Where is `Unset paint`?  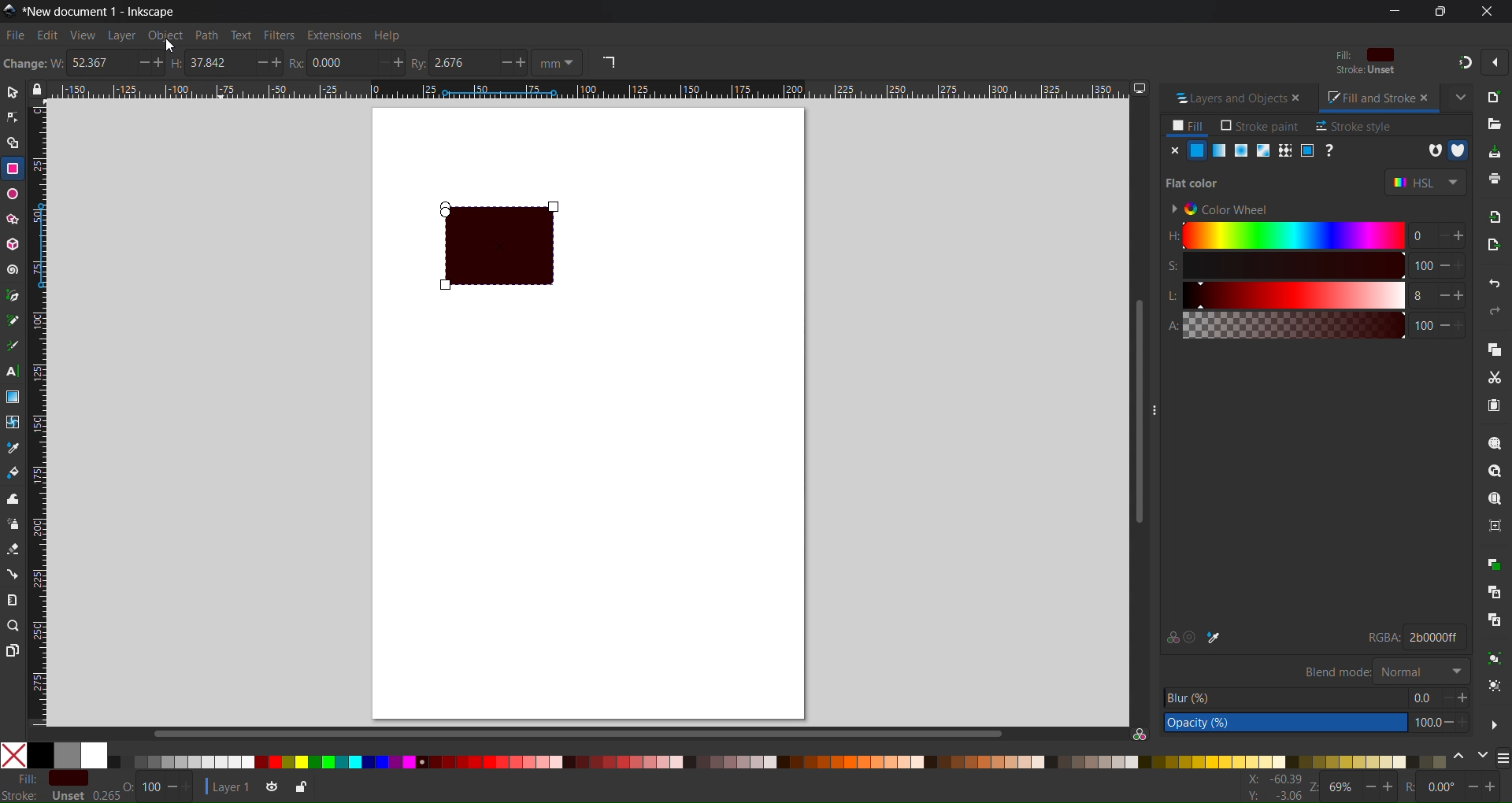
Unset paint is located at coordinates (1331, 150).